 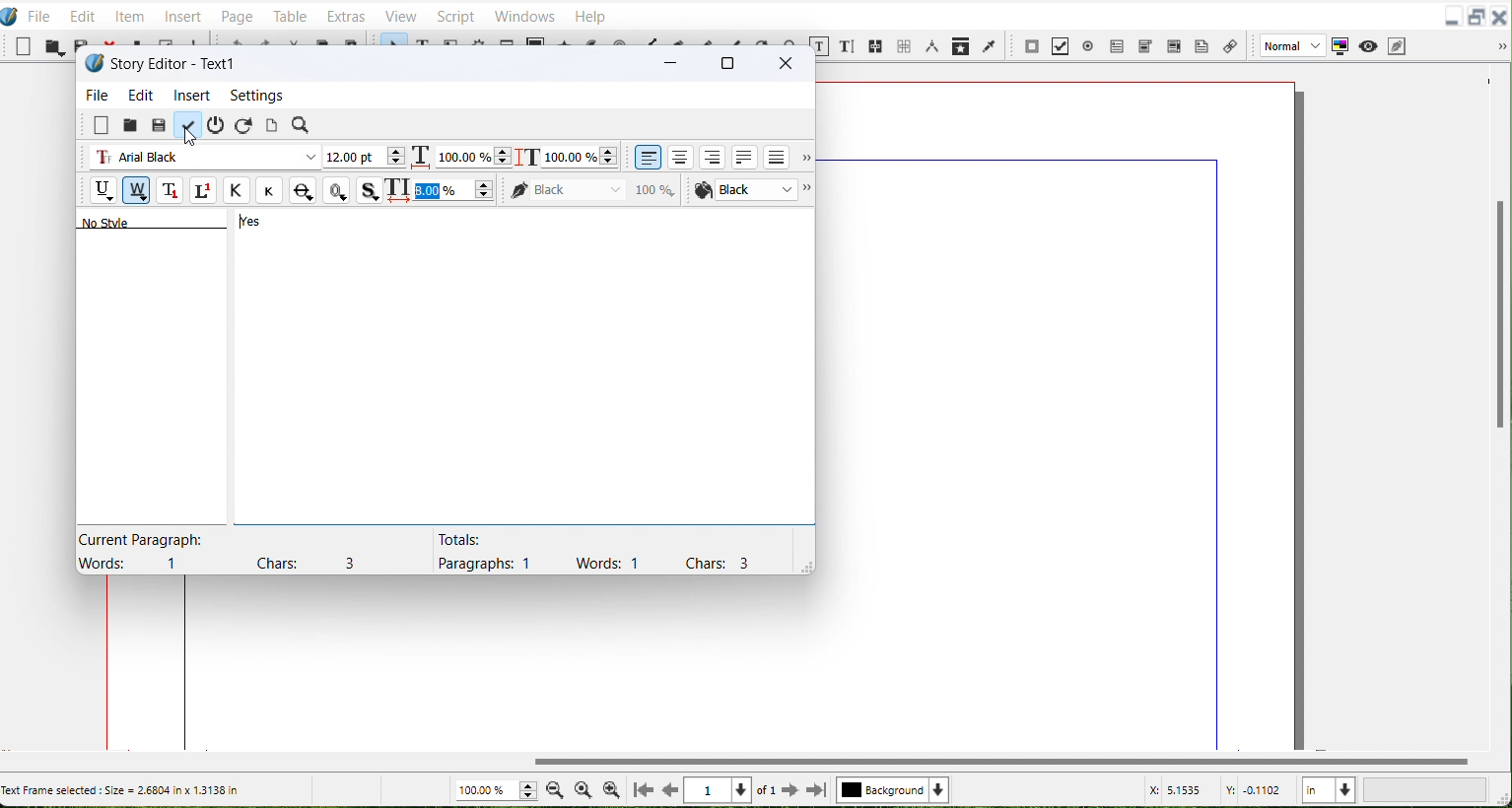 I want to click on Shadowed Text, so click(x=367, y=189).